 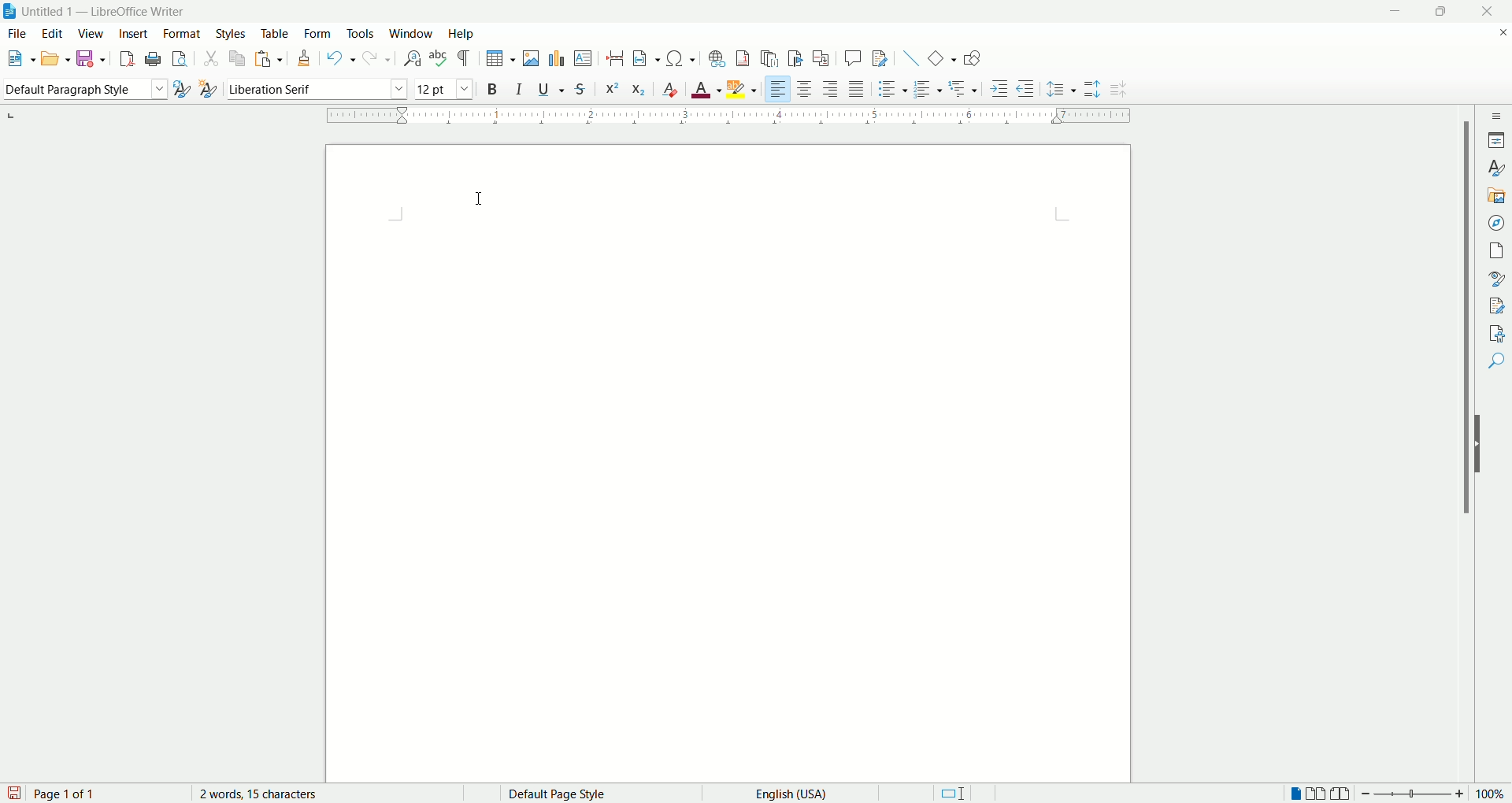 I want to click on page count, so click(x=111, y=793).